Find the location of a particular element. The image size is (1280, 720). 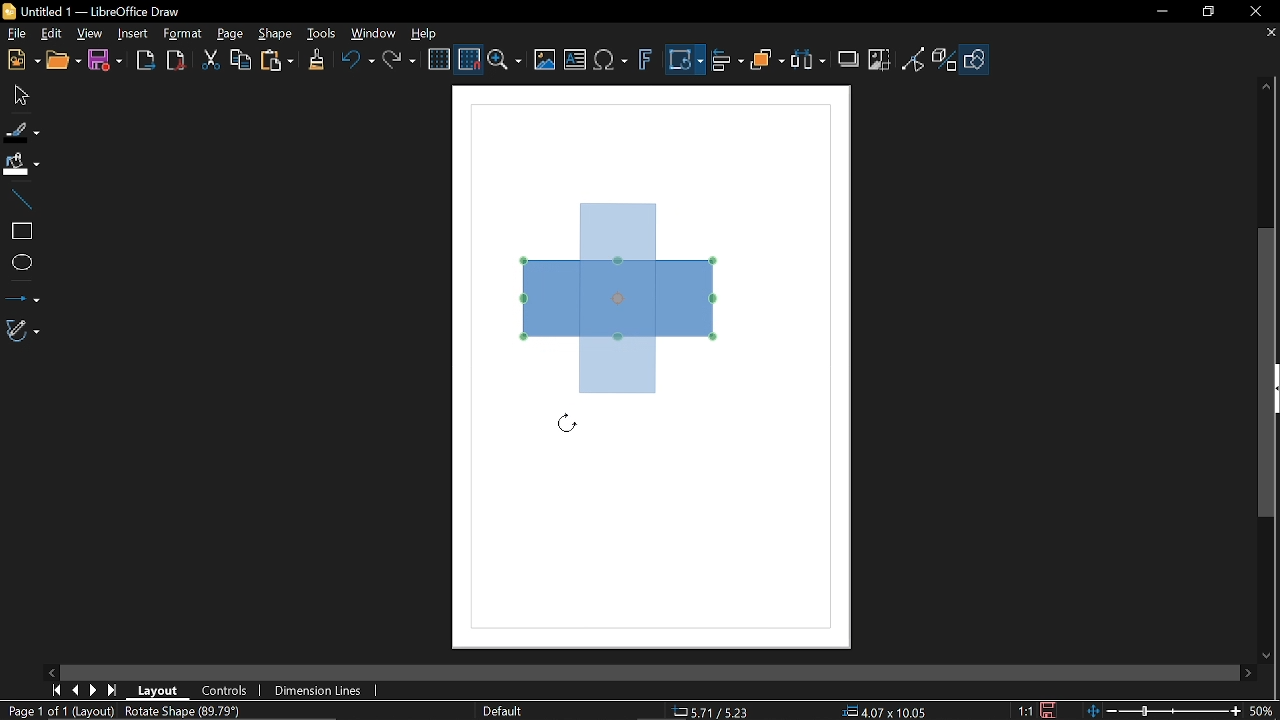

First page is located at coordinates (53, 691).